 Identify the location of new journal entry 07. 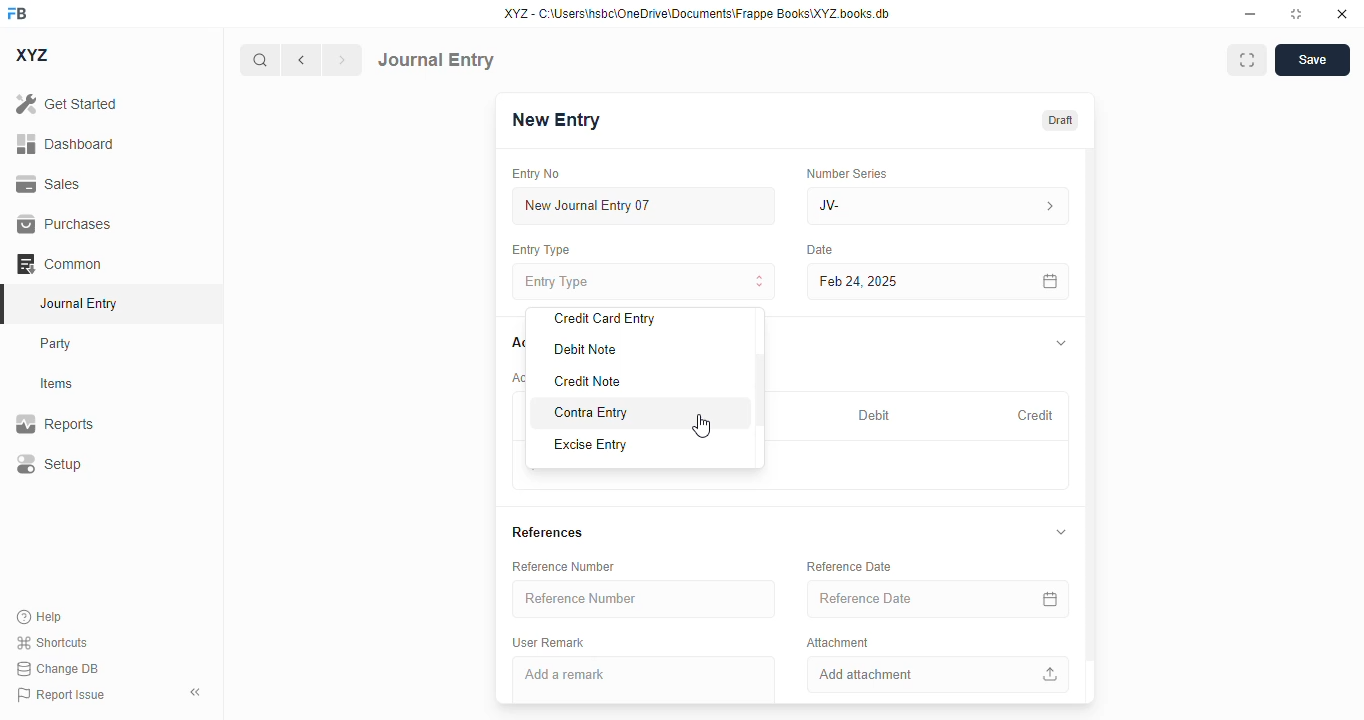
(645, 205).